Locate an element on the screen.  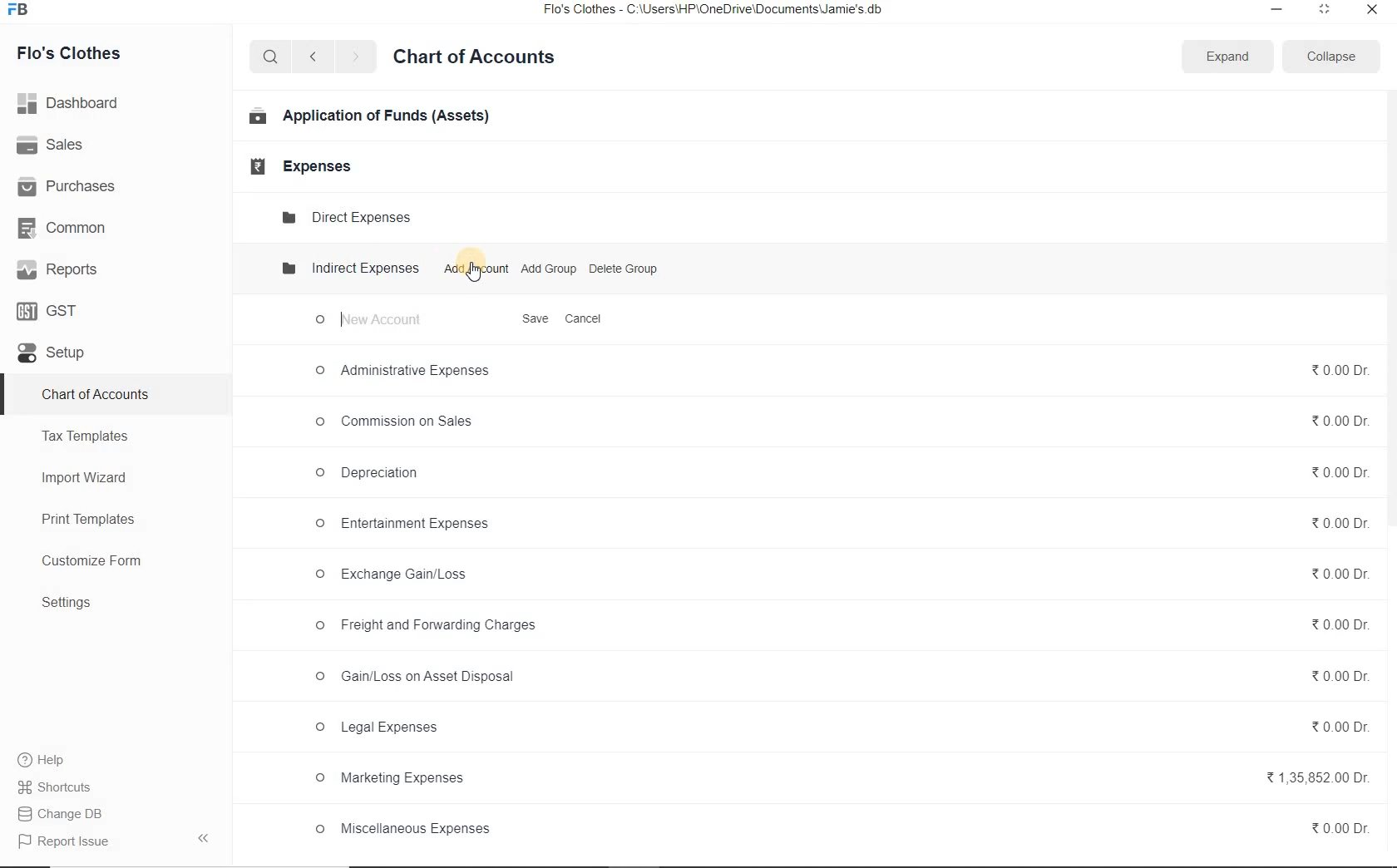
Sales is located at coordinates (53, 145).